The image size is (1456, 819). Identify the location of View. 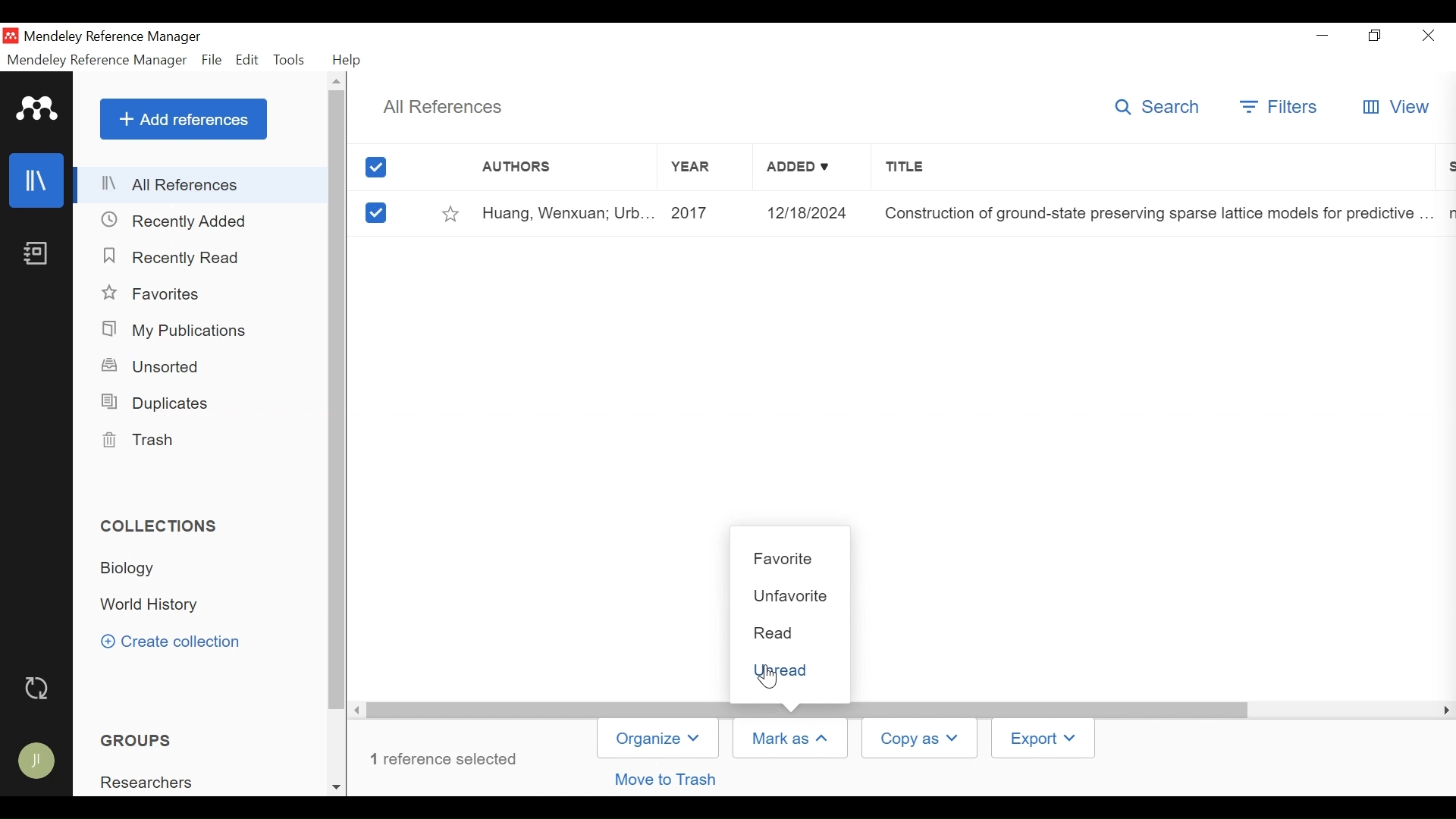
(1395, 108).